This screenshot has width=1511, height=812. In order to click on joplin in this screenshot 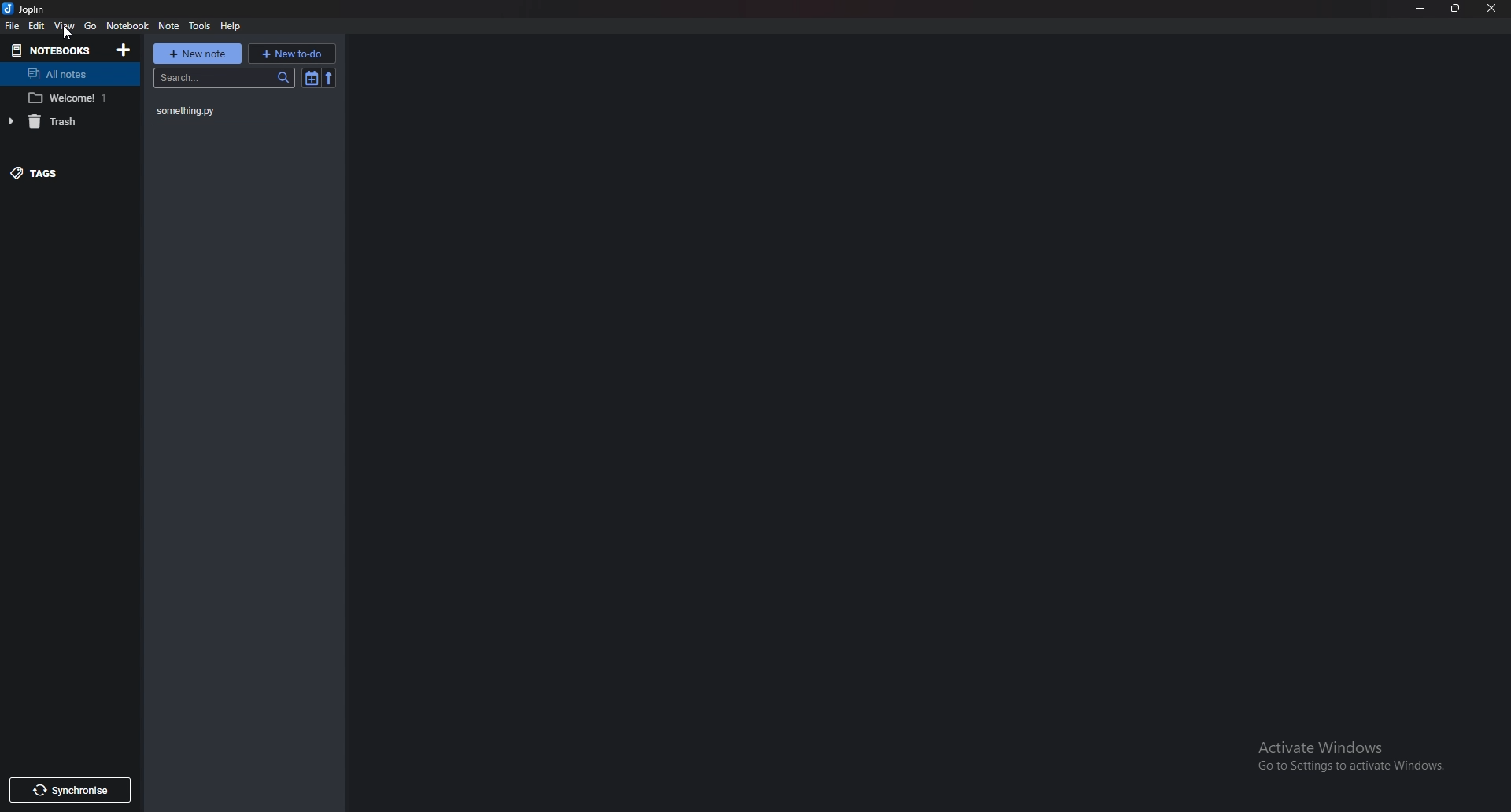, I will do `click(25, 8)`.